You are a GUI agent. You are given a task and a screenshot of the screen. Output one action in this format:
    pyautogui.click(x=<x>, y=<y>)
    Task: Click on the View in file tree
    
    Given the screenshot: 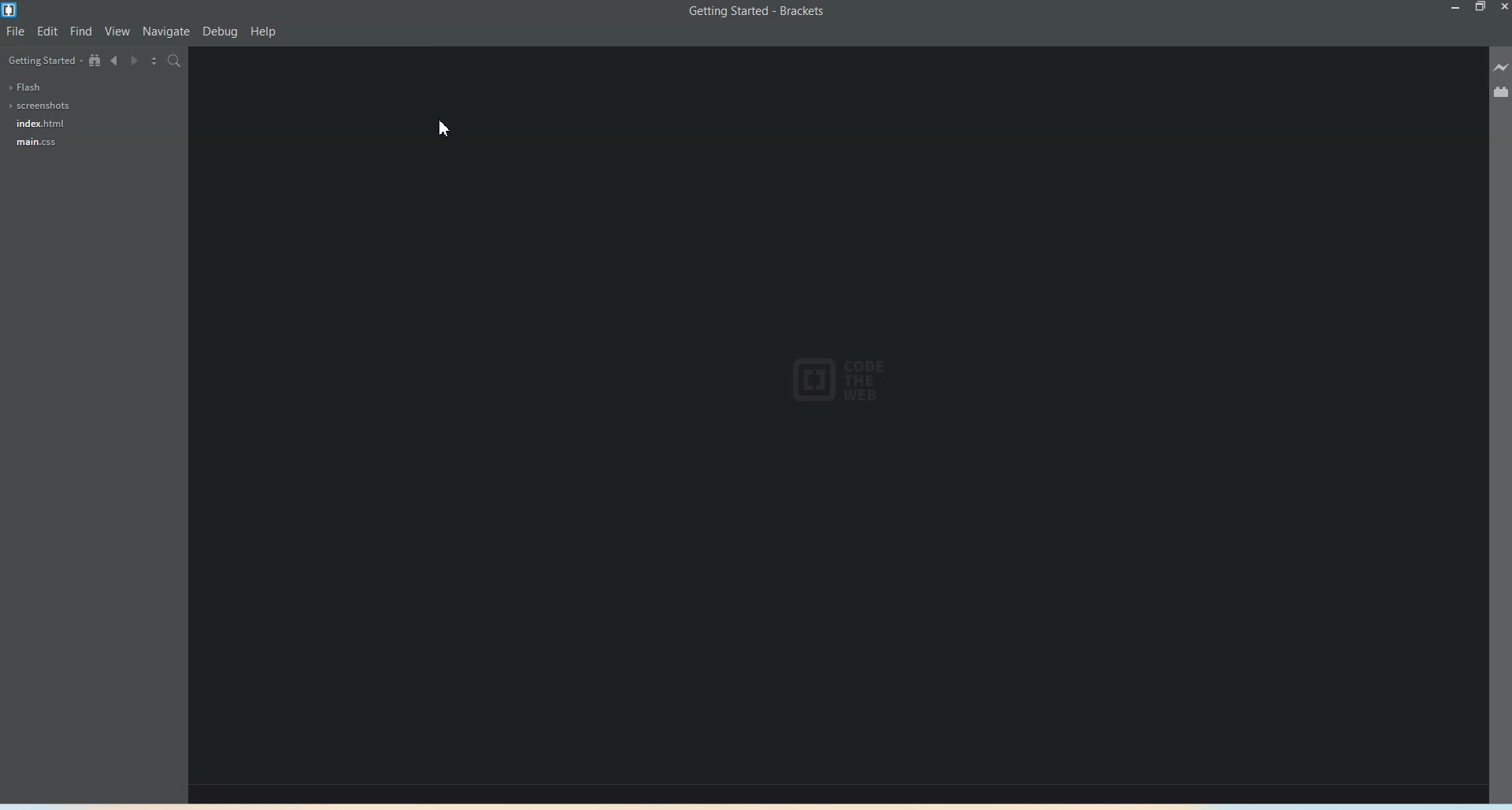 What is the action you would take?
    pyautogui.click(x=95, y=60)
    